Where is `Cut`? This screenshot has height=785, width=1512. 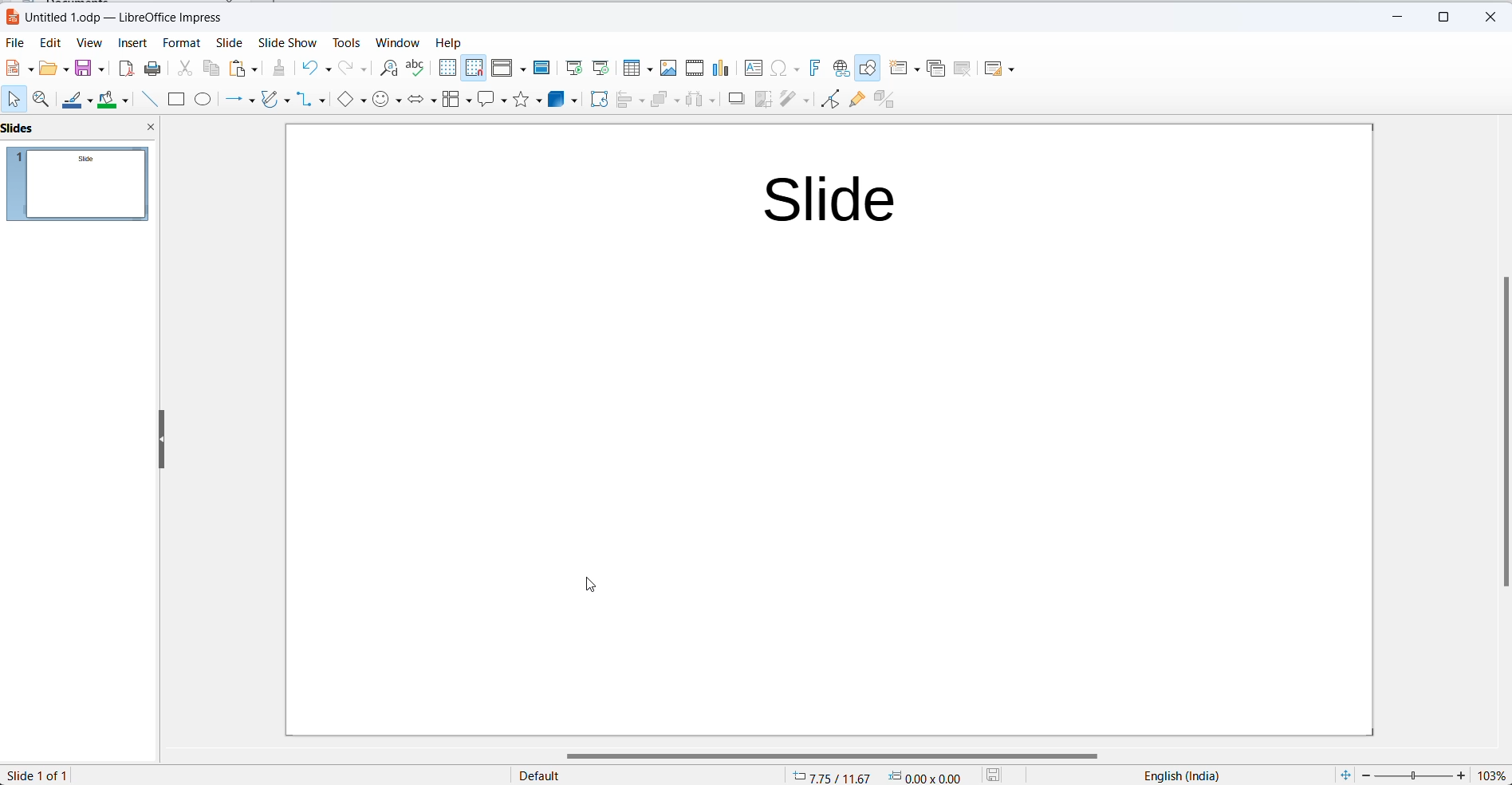
Cut is located at coordinates (178, 69).